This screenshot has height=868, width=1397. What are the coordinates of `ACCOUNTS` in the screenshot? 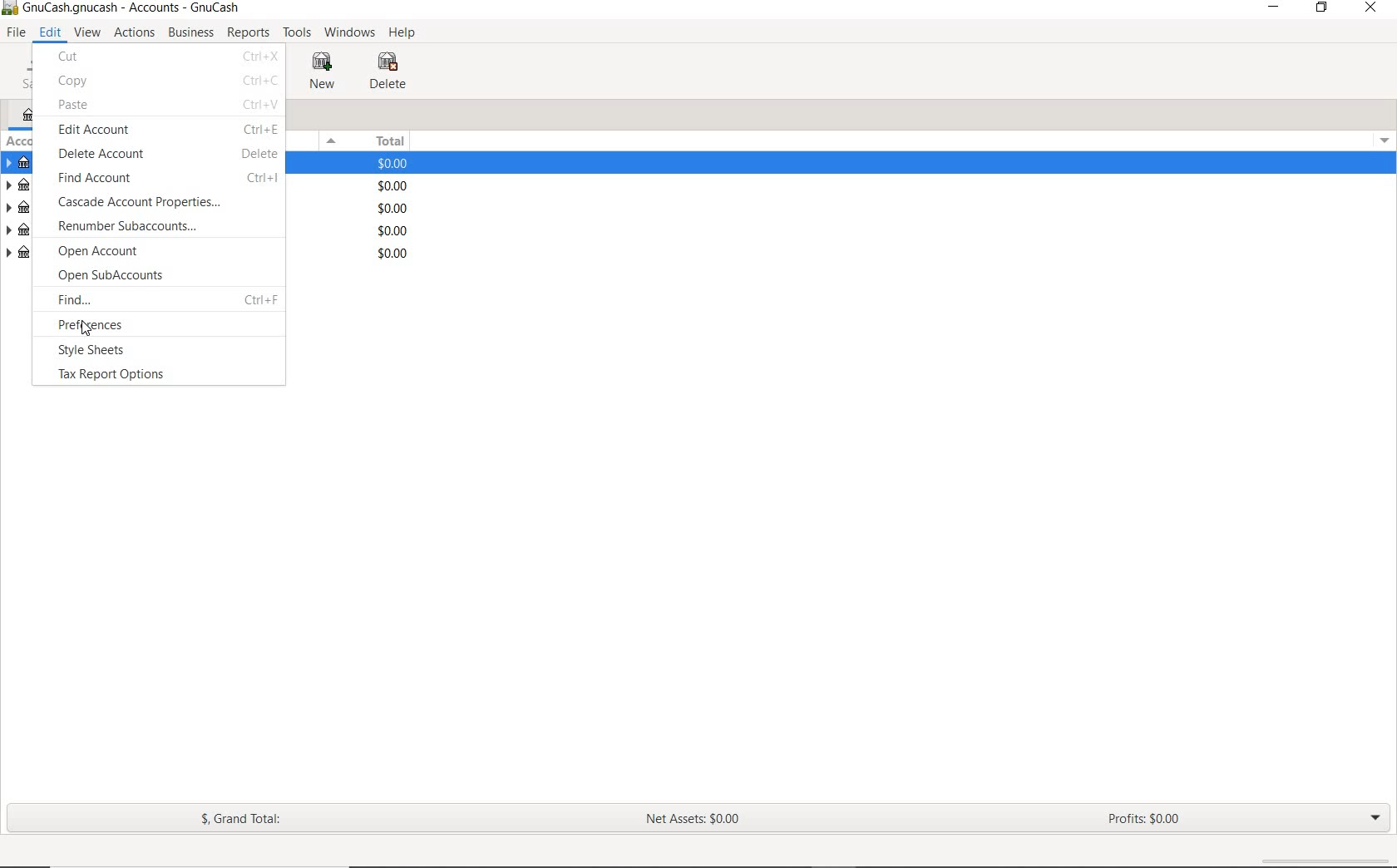 It's located at (23, 91).